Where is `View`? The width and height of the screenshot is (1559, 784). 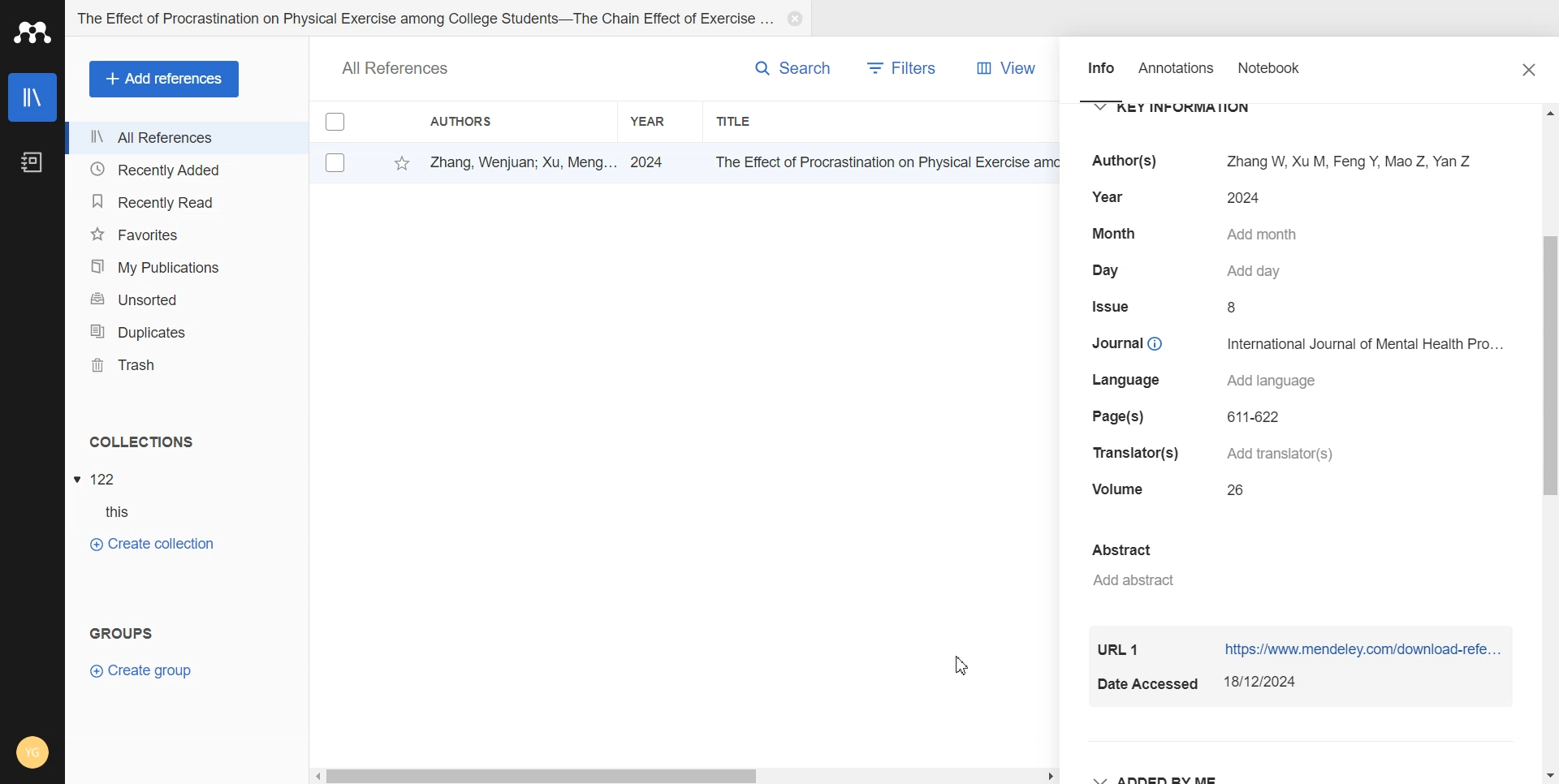 View is located at coordinates (1003, 67).